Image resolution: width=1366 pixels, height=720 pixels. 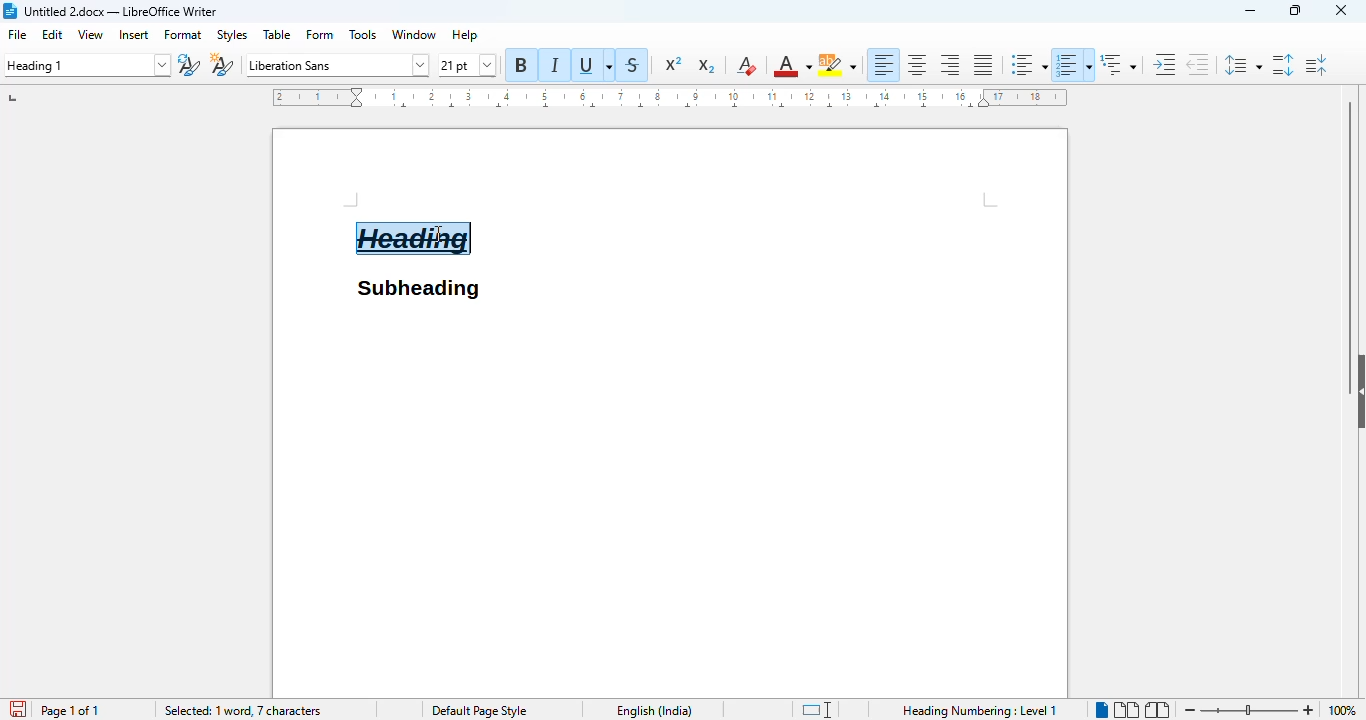 I want to click on italic selected, so click(x=554, y=64).